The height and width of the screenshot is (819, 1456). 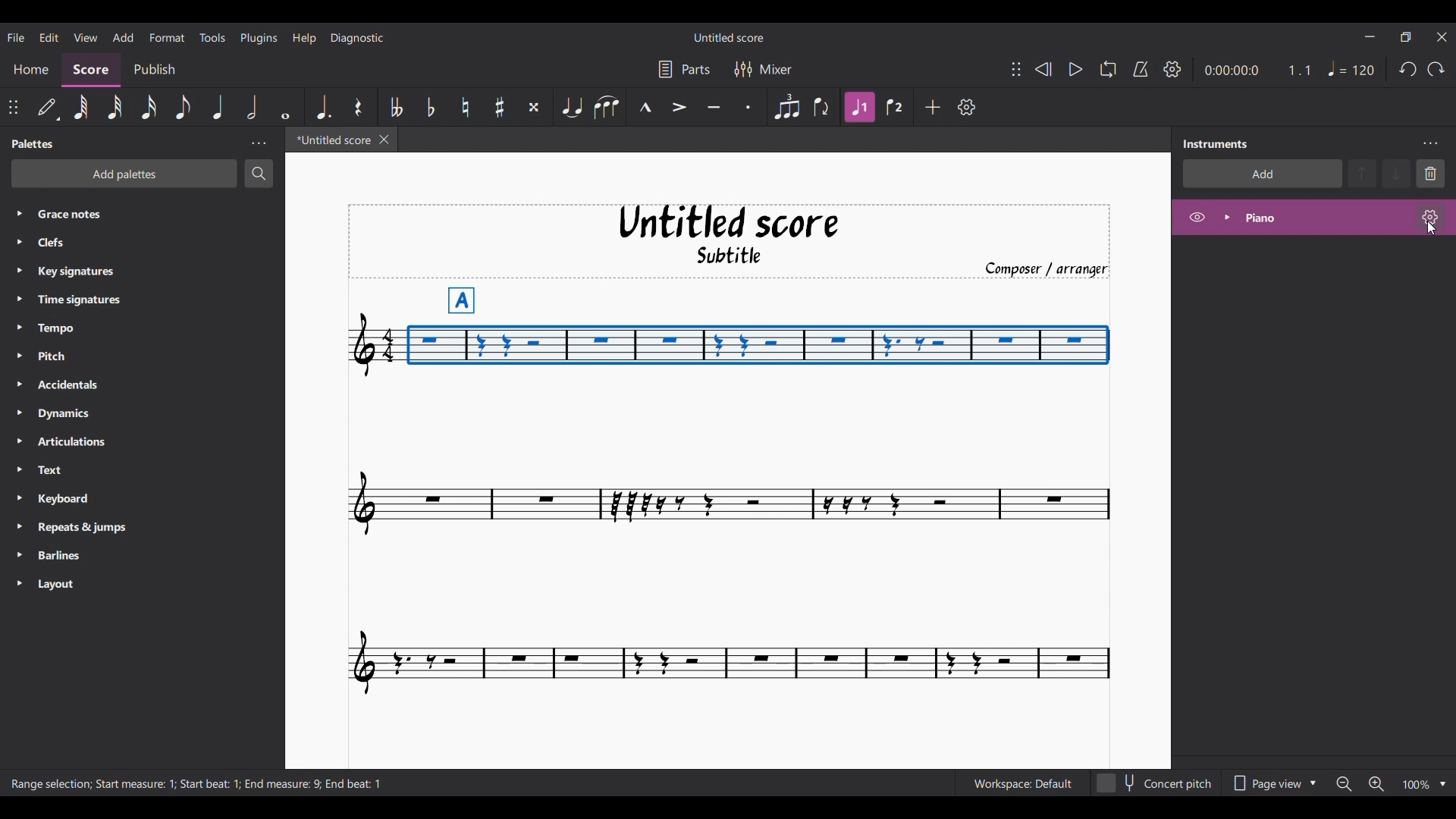 What do you see at coordinates (745, 255) in the screenshot?
I see `Subtitle` at bounding box center [745, 255].